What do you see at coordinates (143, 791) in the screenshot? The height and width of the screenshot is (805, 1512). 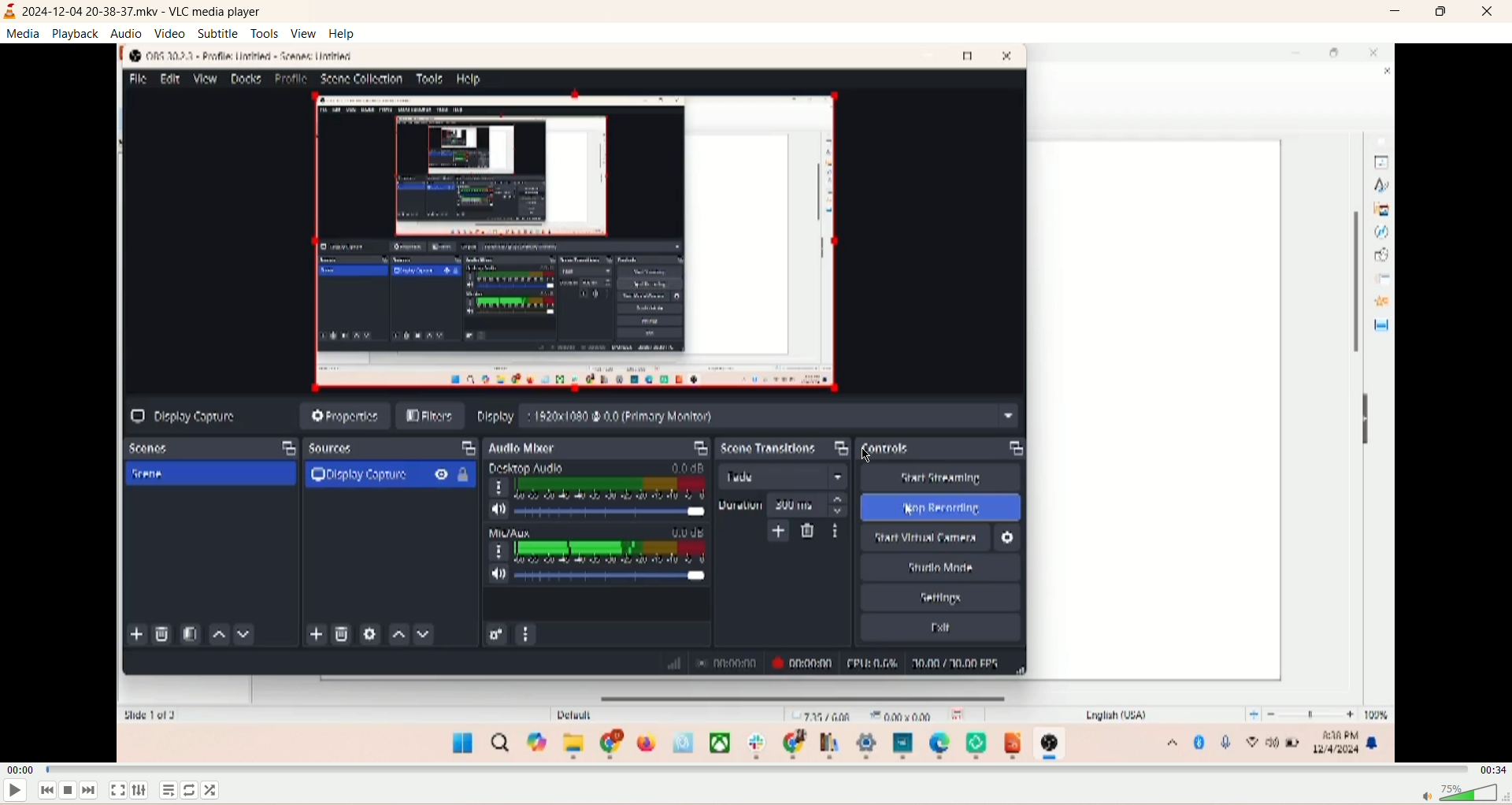 I see `extended settings` at bounding box center [143, 791].